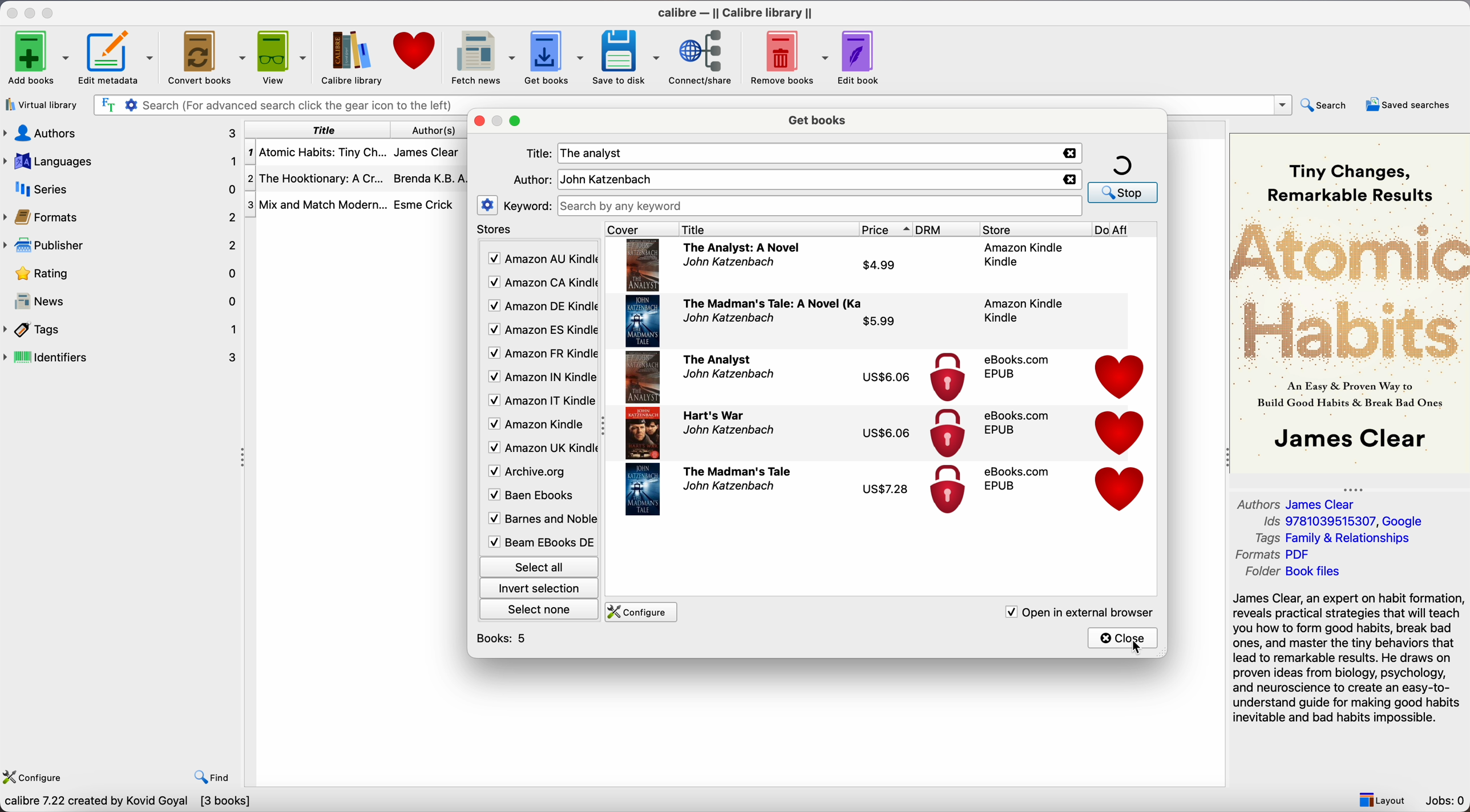 This screenshot has width=1470, height=812. Describe the element at coordinates (349, 57) in the screenshot. I see `Calibre library` at that location.